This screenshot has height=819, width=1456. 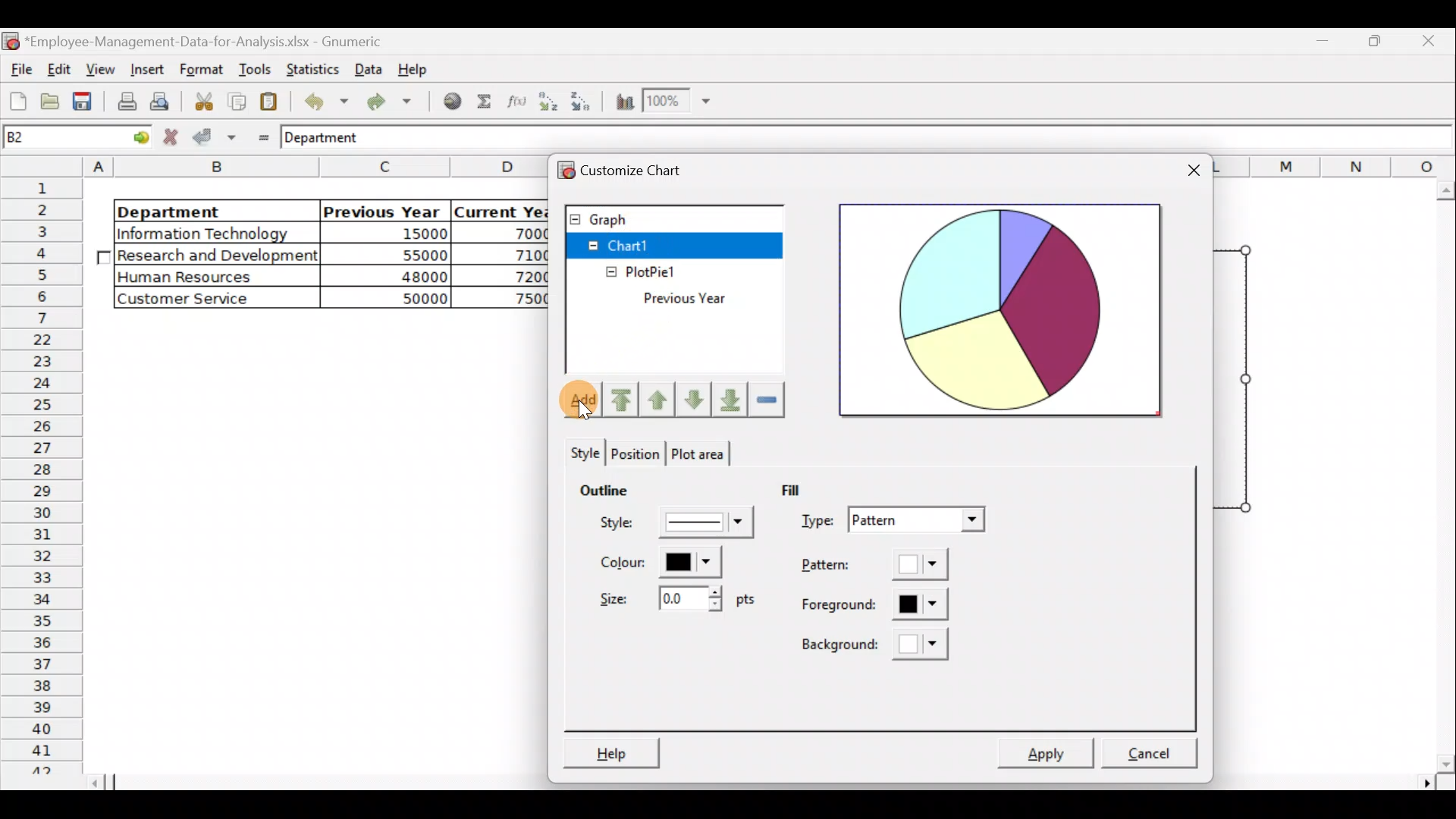 I want to click on Sort in Ascending order, so click(x=548, y=101).